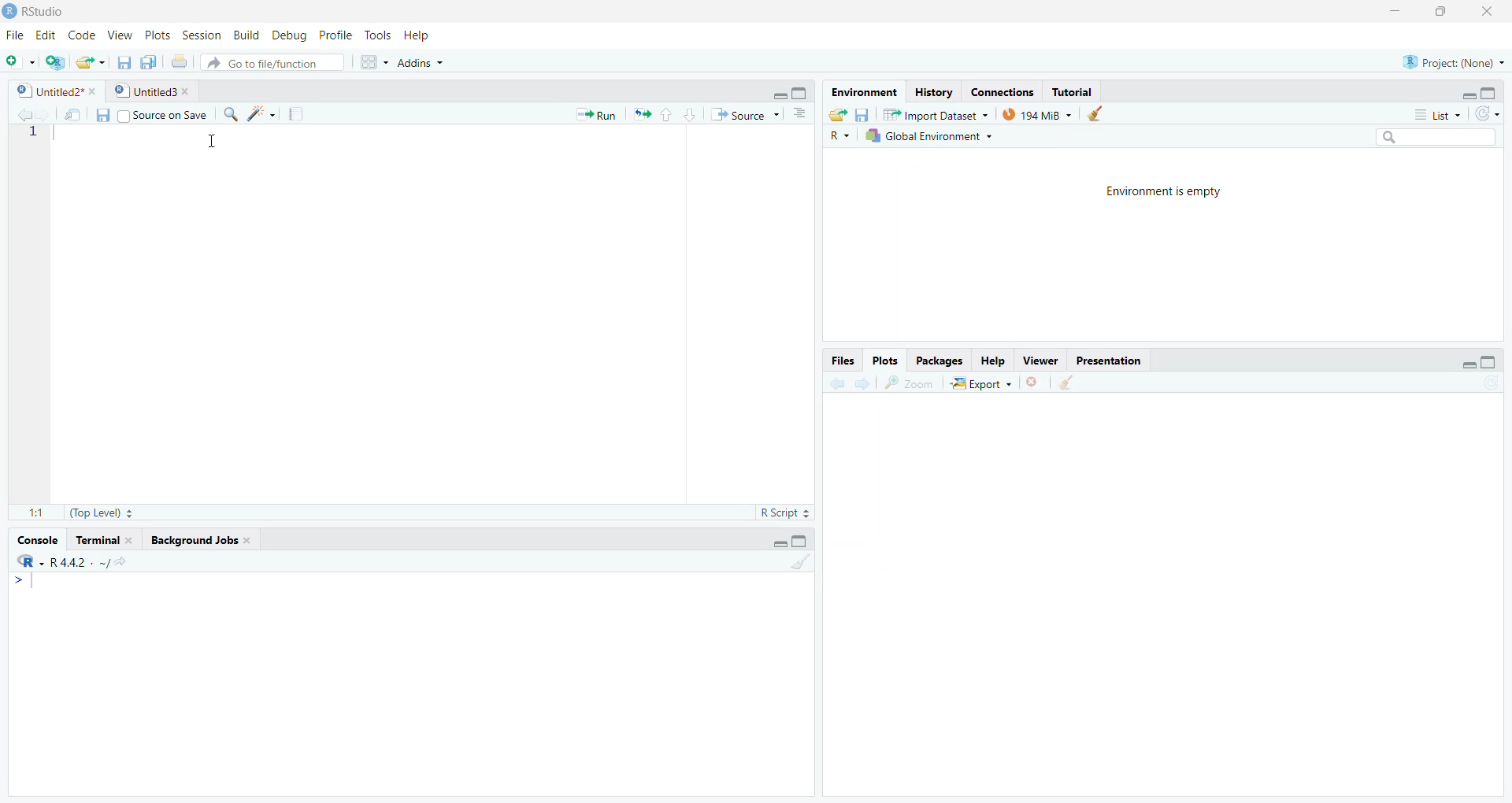 This screenshot has height=803, width=1512. Describe the element at coordinates (1438, 135) in the screenshot. I see `Search bar` at that location.